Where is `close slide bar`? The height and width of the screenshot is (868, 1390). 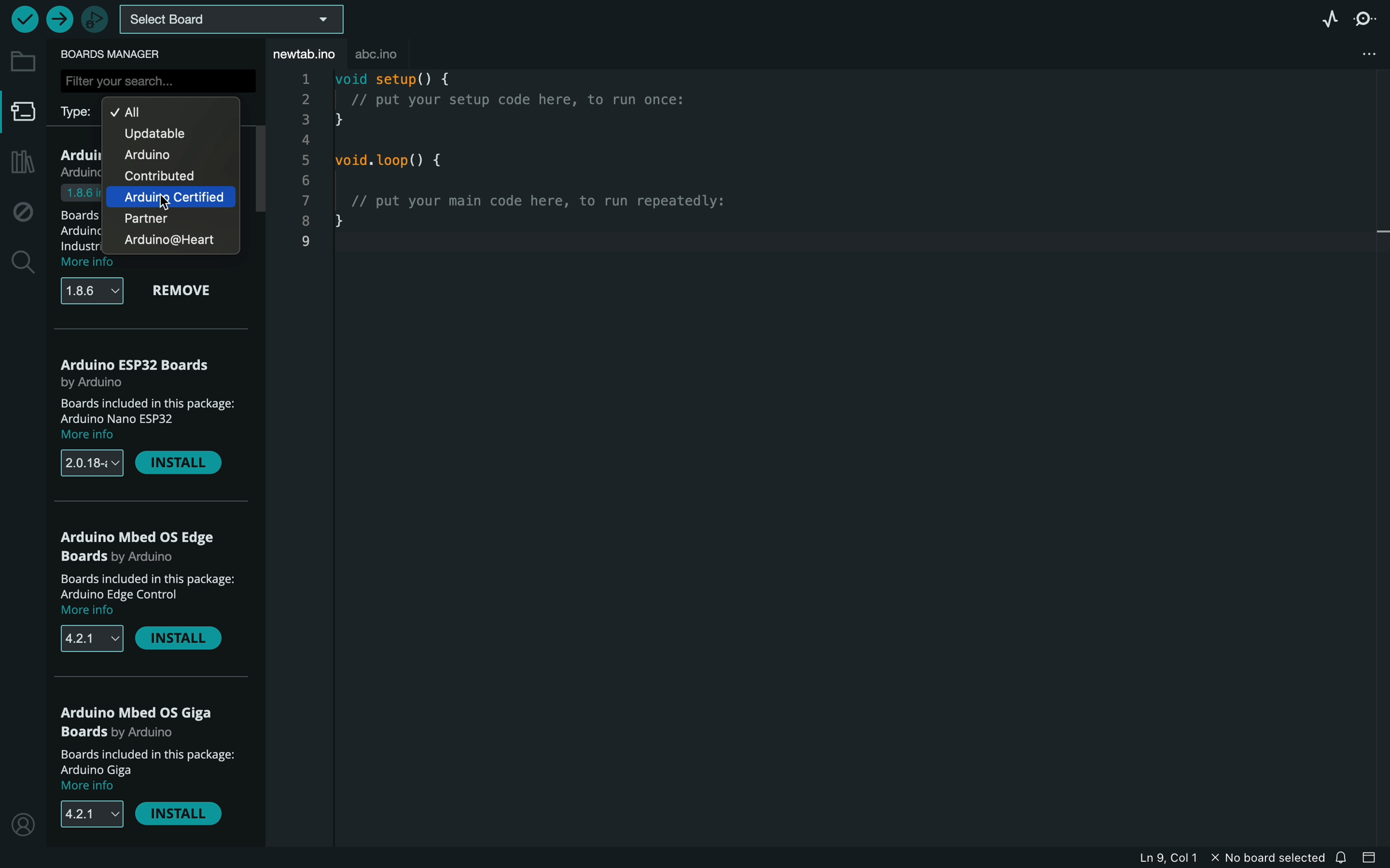
close slide bar is located at coordinates (1373, 858).